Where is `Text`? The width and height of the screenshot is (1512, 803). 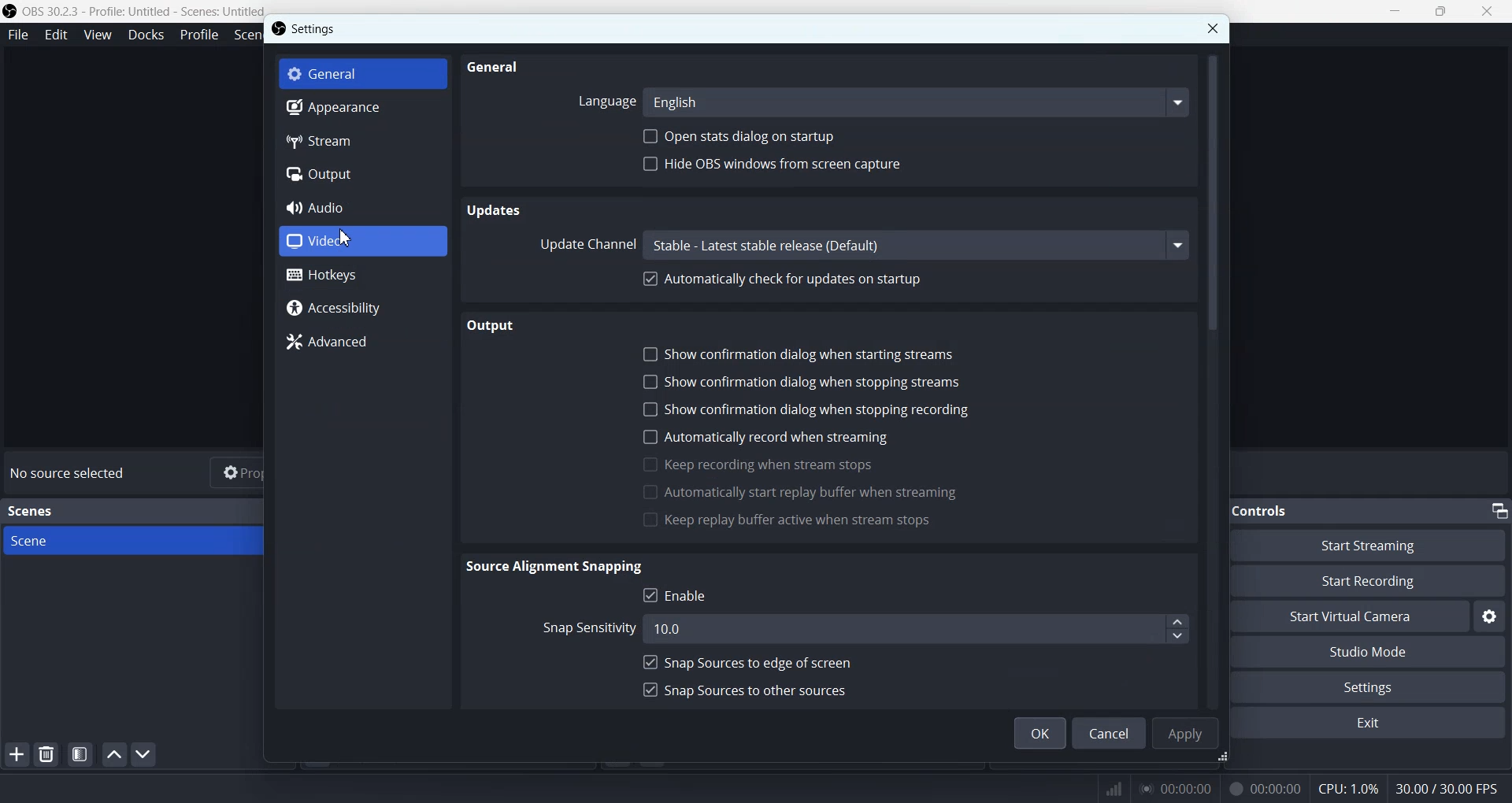
Text is located at coordinates (71, 473).